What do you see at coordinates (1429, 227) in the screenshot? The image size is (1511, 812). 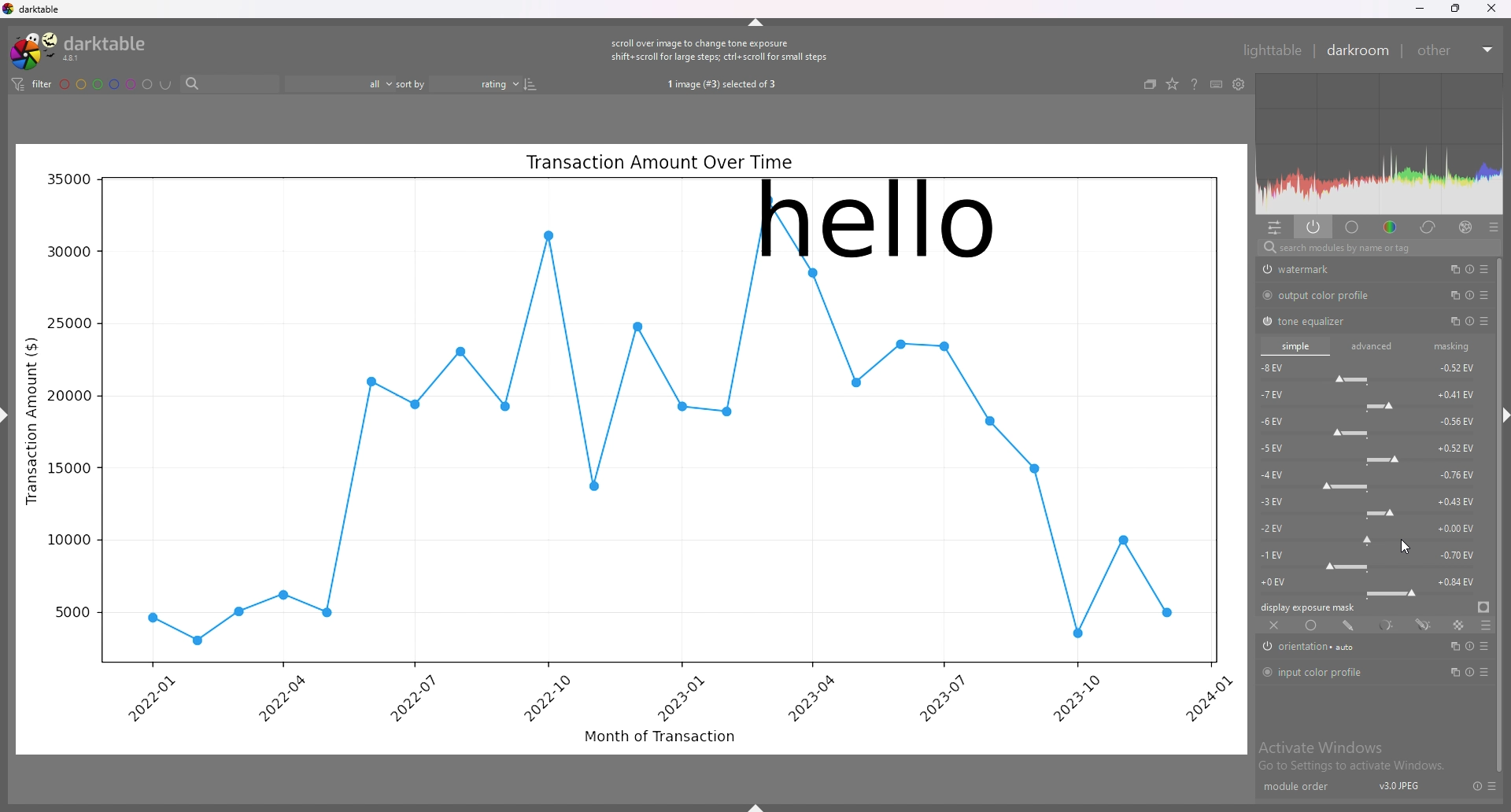 I see `correct` at bounding box center [1429, 227].